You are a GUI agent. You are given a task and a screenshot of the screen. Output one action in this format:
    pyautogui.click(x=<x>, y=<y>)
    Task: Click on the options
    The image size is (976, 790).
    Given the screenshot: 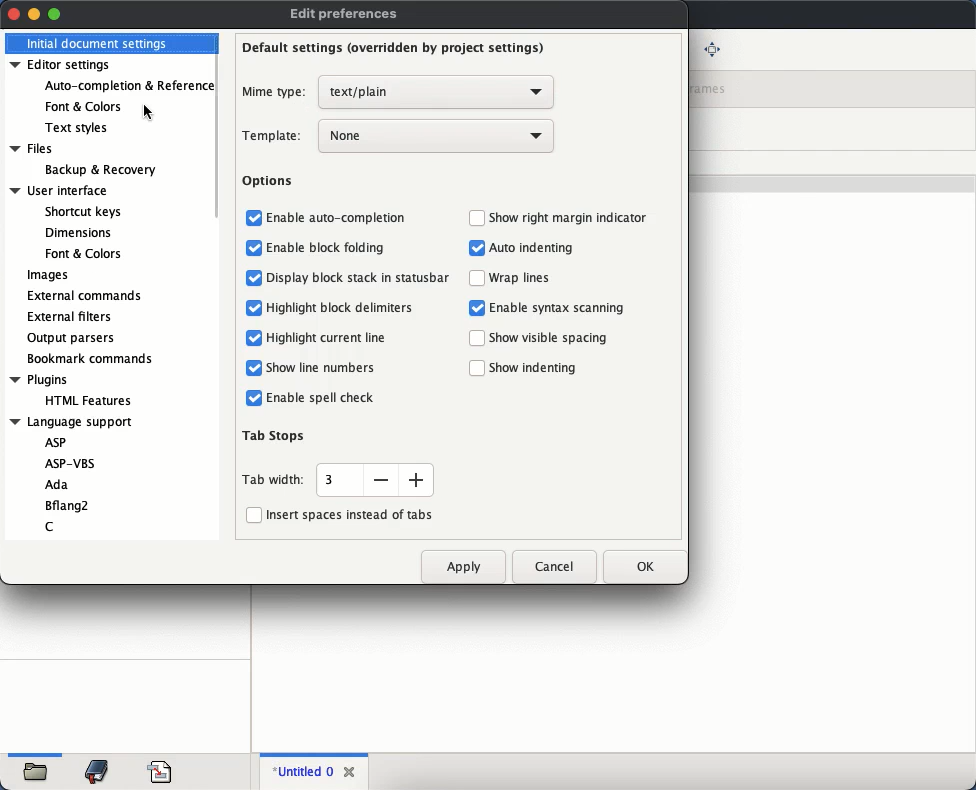 What is the action you would take?
    pyautogui.click(x=270, y=180)
    